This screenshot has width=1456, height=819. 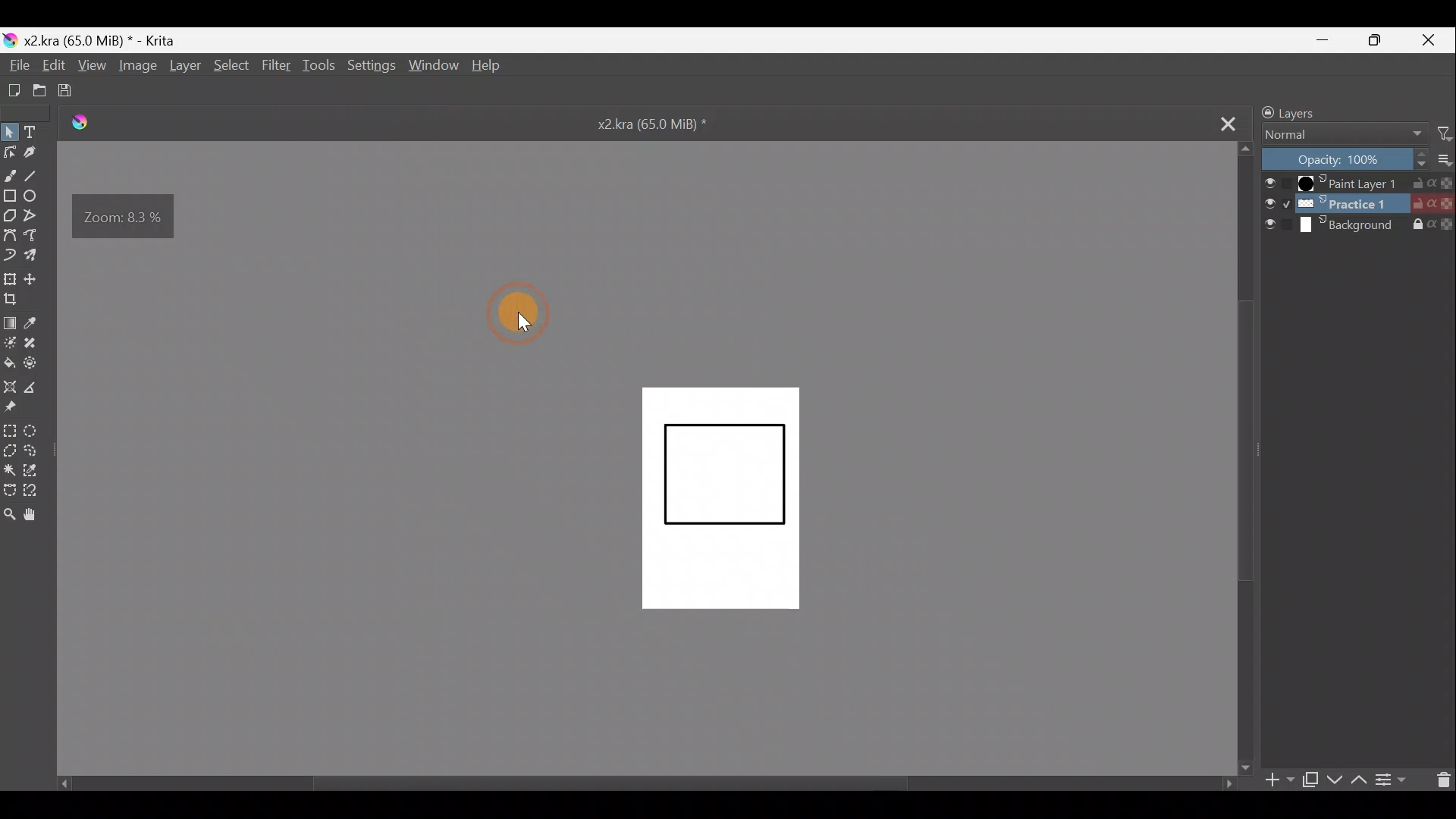 What do you see at coordinates (526, 322) in the screenshot?
I see `cursor` at bounding box center [526, 322].